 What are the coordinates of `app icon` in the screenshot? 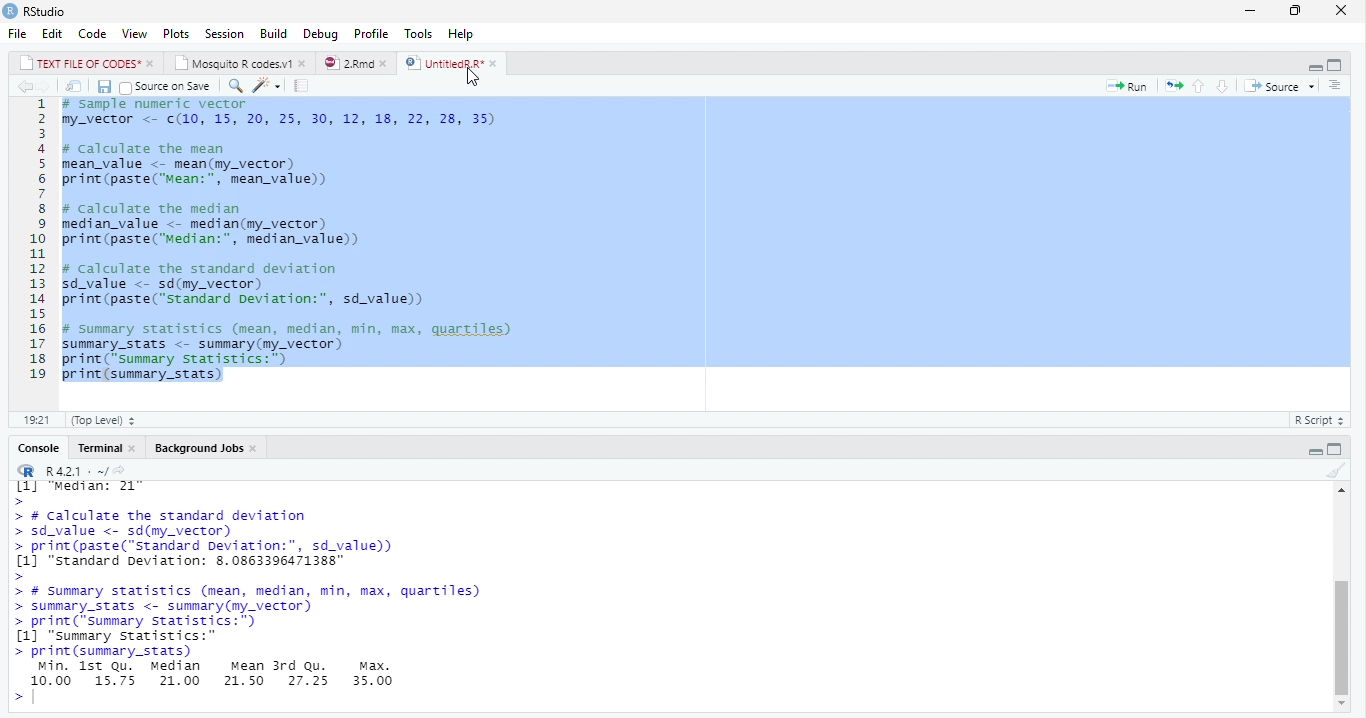 It's located at (10, 10).